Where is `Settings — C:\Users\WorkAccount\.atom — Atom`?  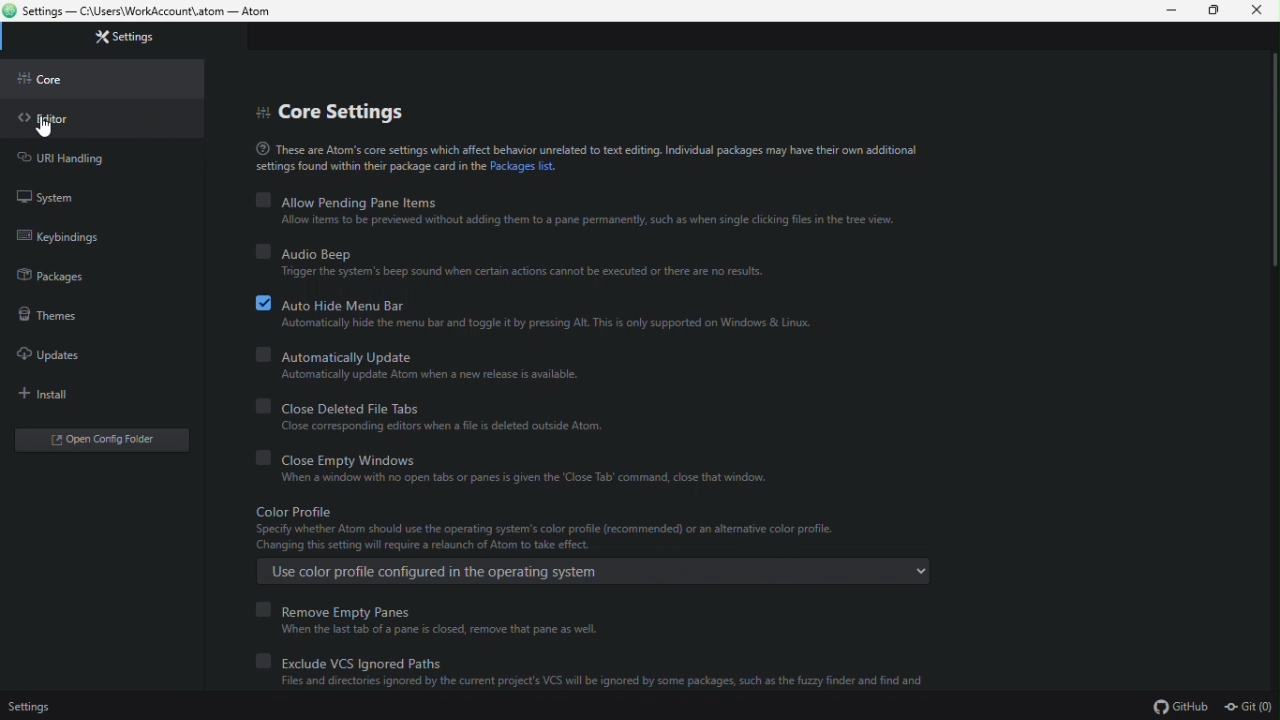 Settings — C:\Users\WorkAccount\.atom — Atom is located at coordinates (145, 12).